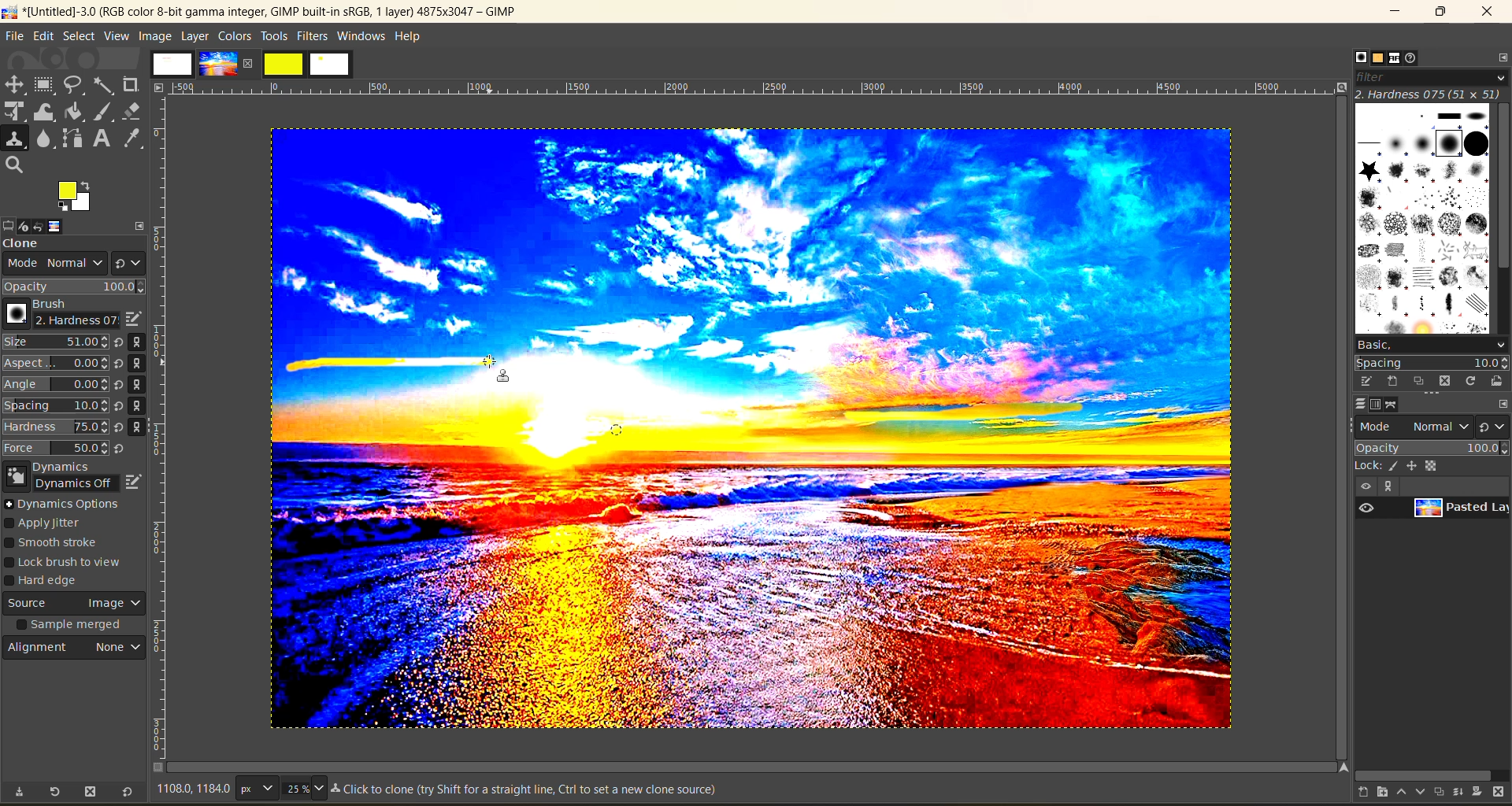 The image size is (1512, 806). I want to click on sample merged, so click(72, 627).